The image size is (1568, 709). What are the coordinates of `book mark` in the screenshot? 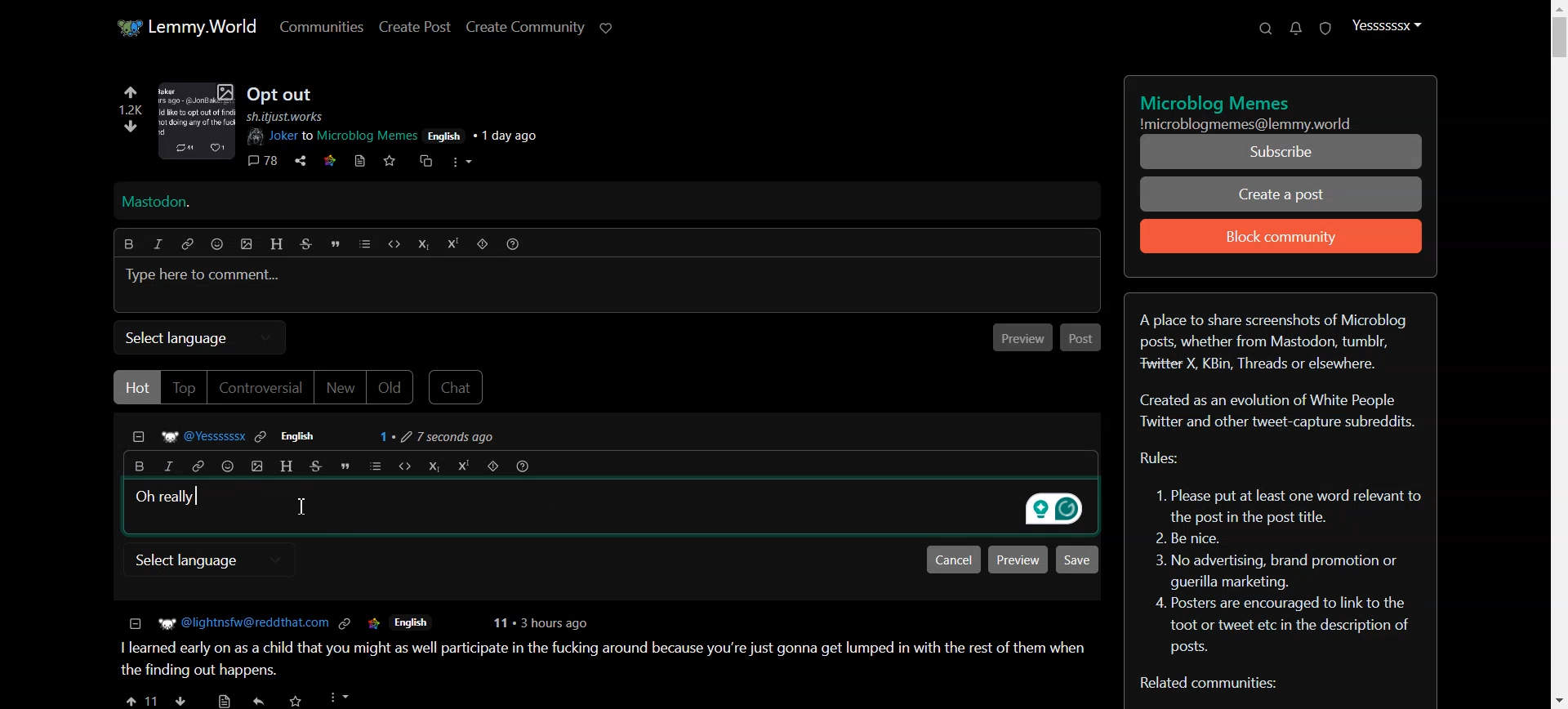 It's located at (359, 161).